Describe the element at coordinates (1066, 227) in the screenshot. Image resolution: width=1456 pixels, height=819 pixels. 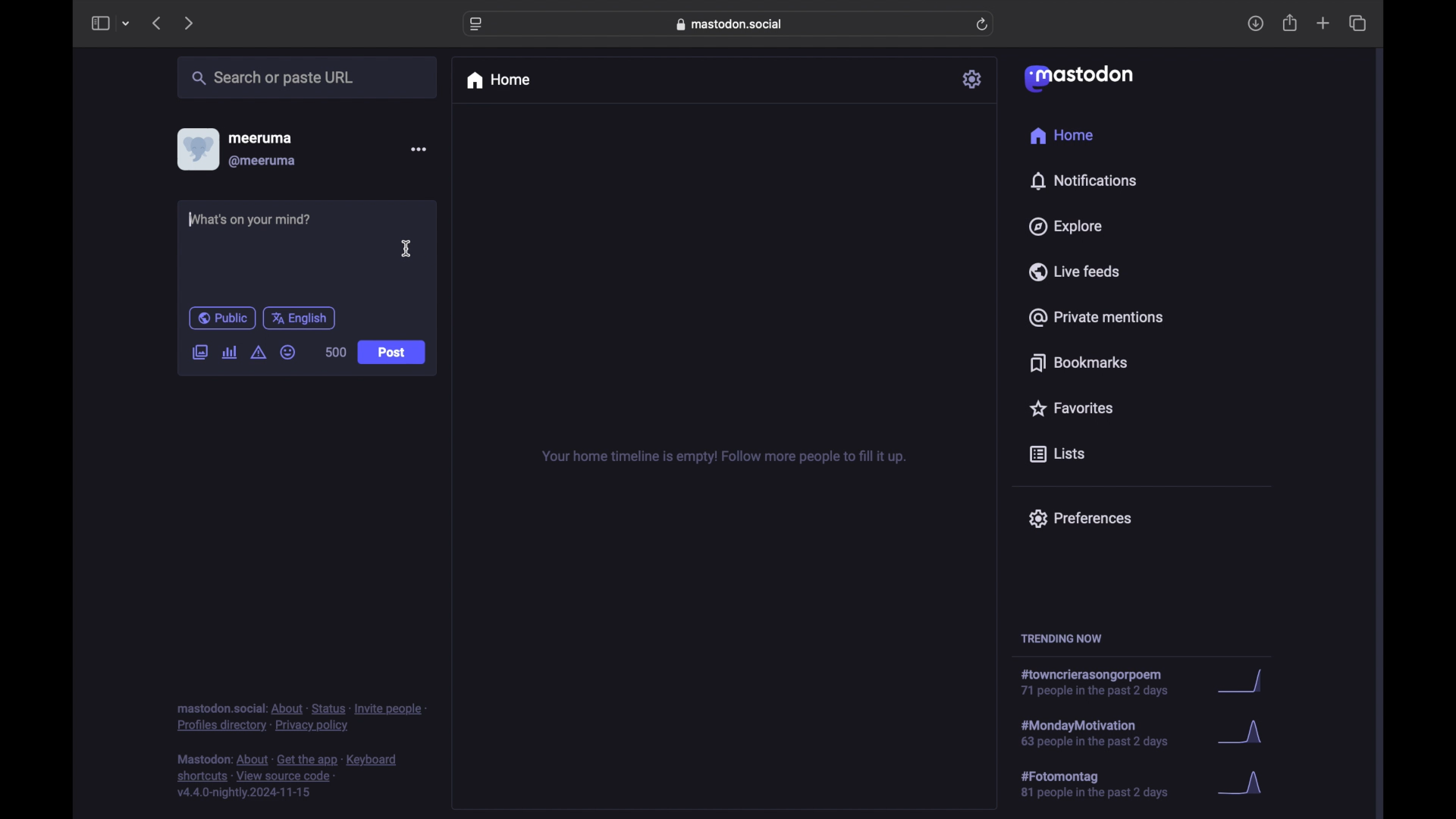
I see `explore` at that location.